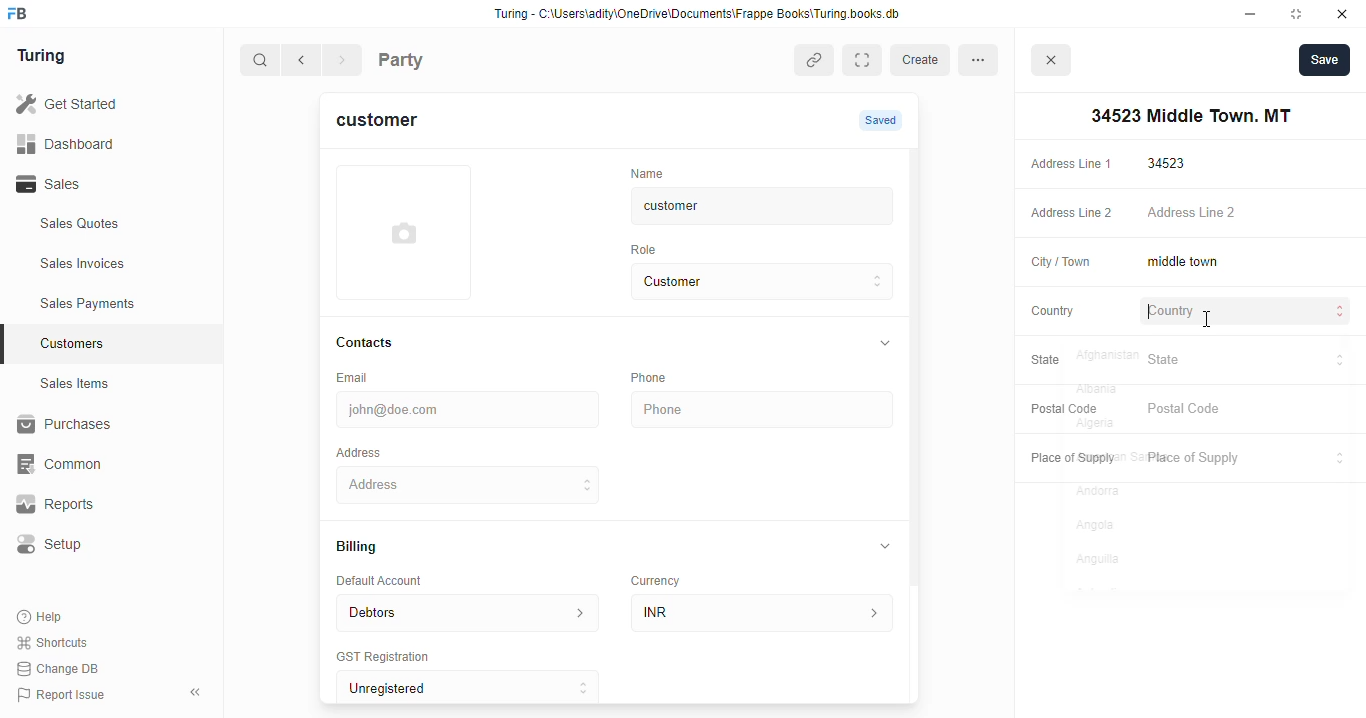 The width and height of the screenshot is (1366, 718). I want to click on customer, so click(746, 206).